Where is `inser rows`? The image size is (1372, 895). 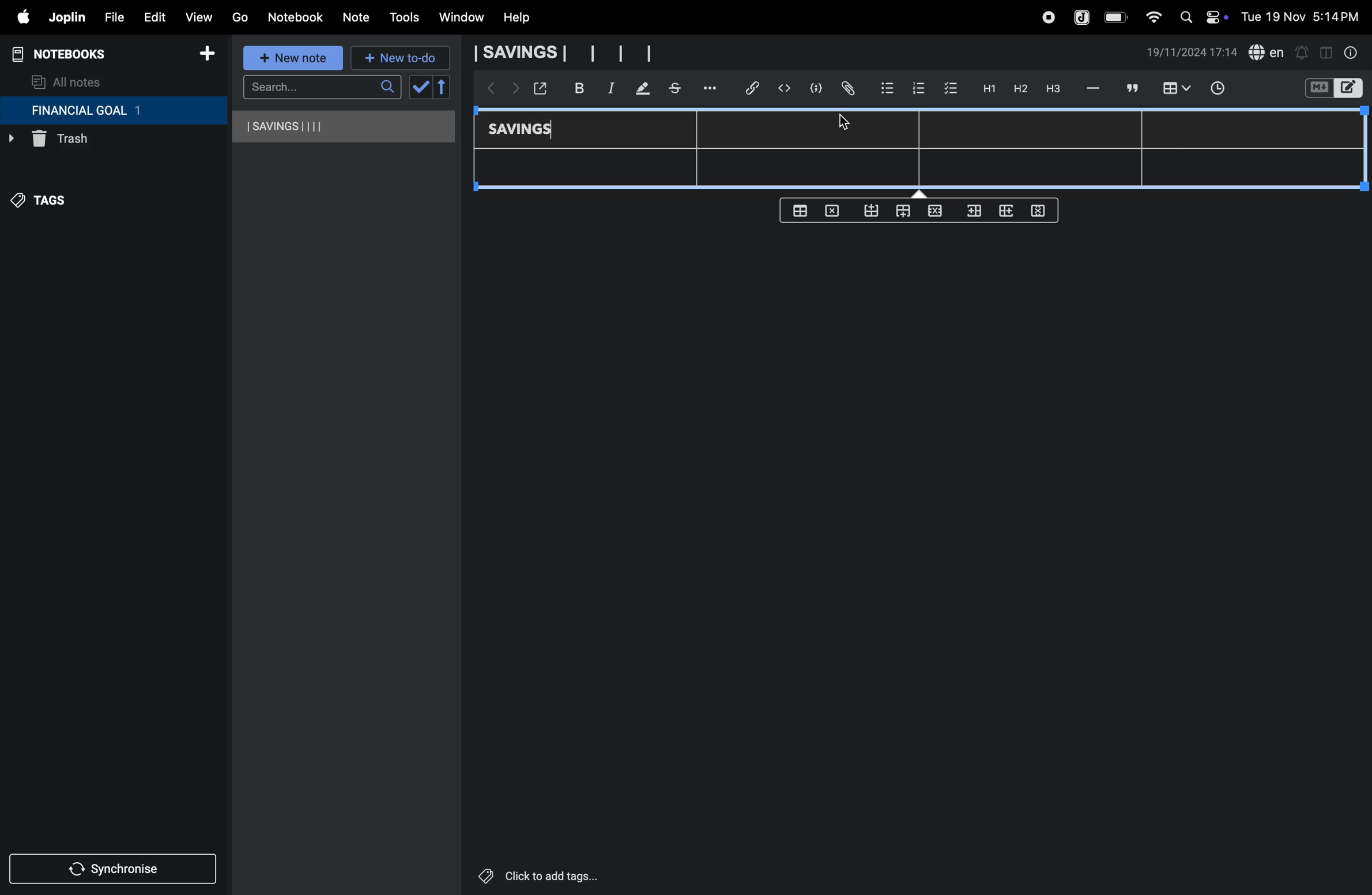
inser rows is located at coordinates (972, 213).